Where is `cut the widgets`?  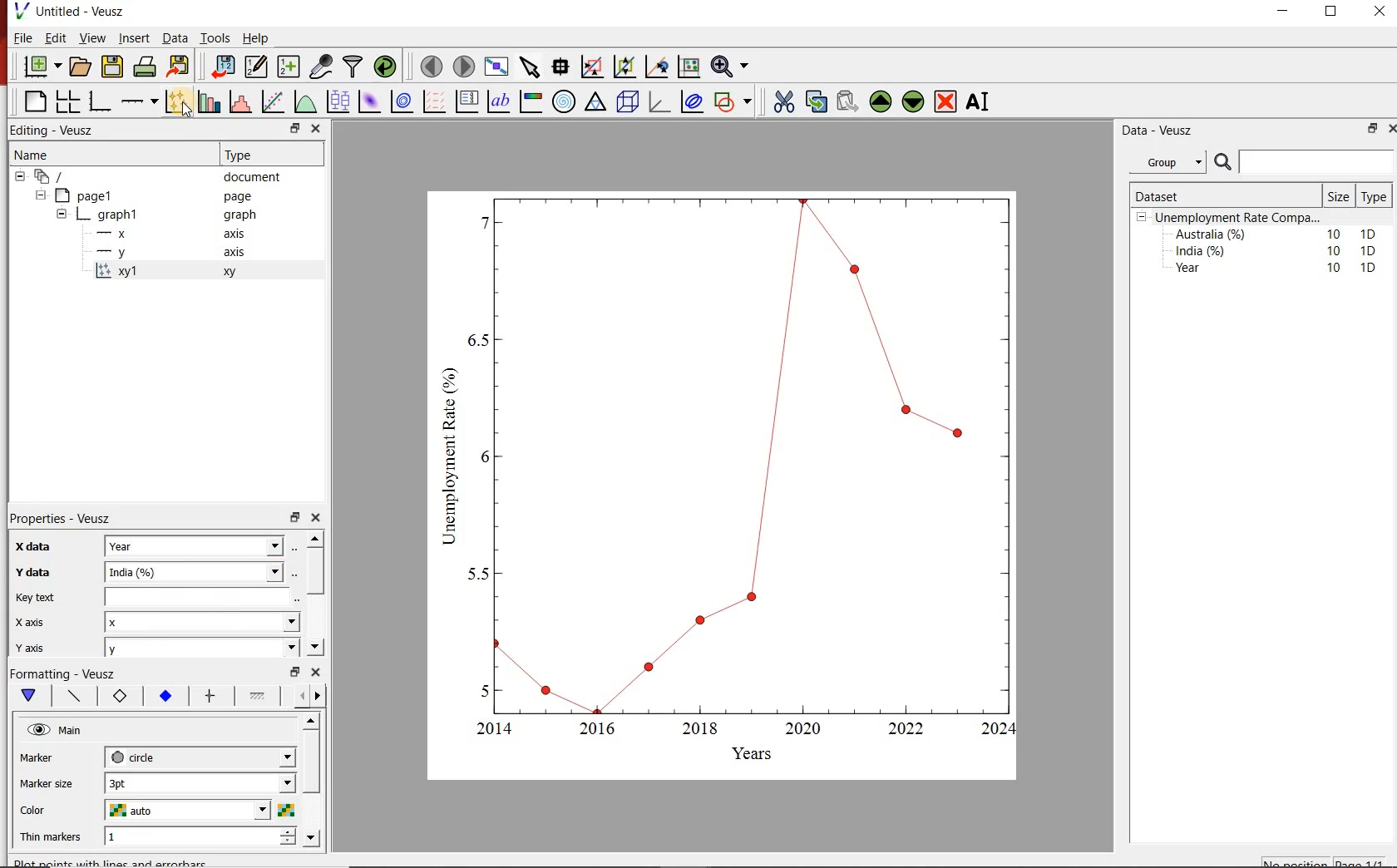 cut the widgets is located at coordinates (784, 101).